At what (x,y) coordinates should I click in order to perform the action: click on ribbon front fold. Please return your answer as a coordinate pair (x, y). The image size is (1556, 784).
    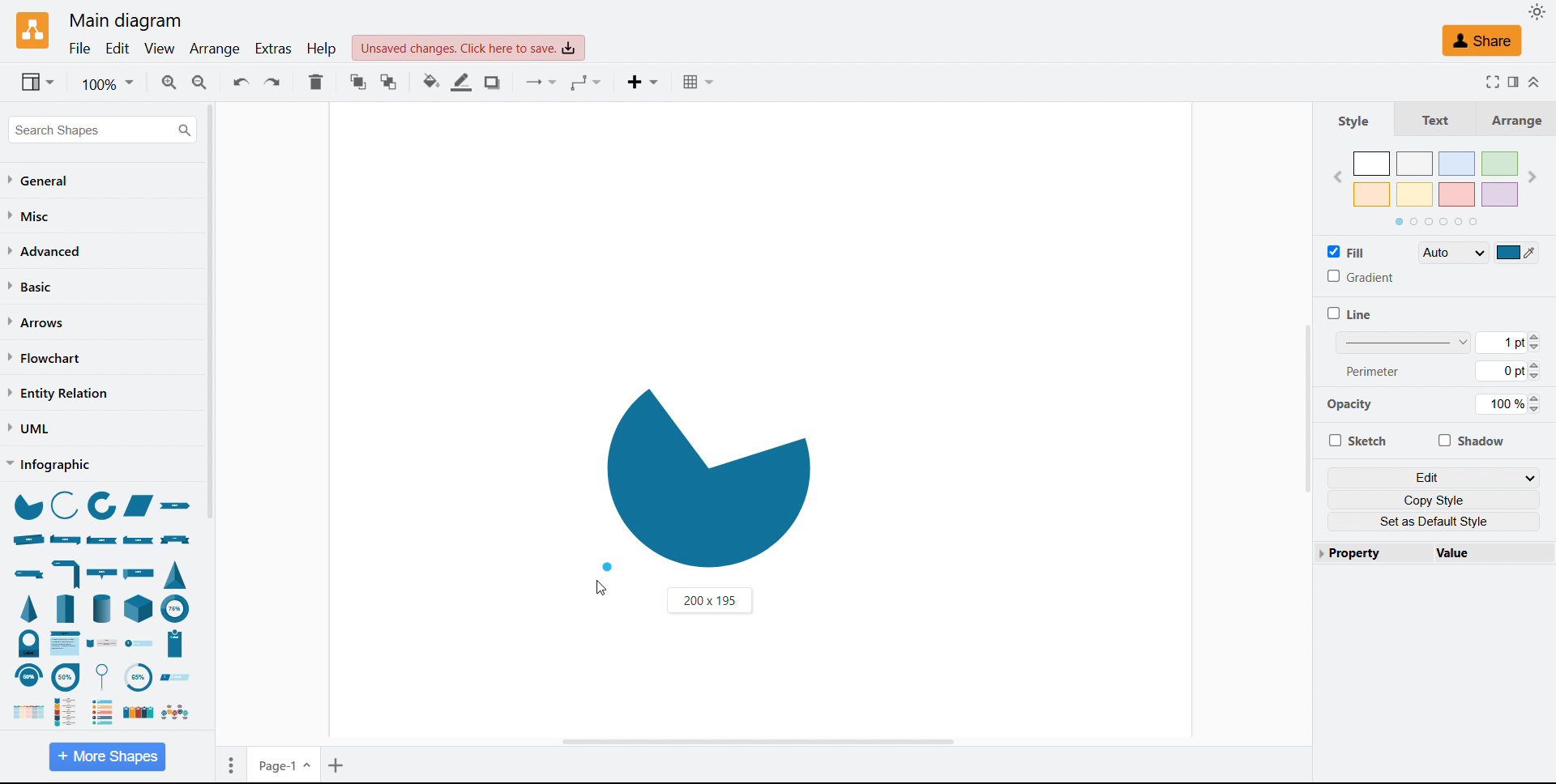
    Looking at the image, I should click on (103, 540).